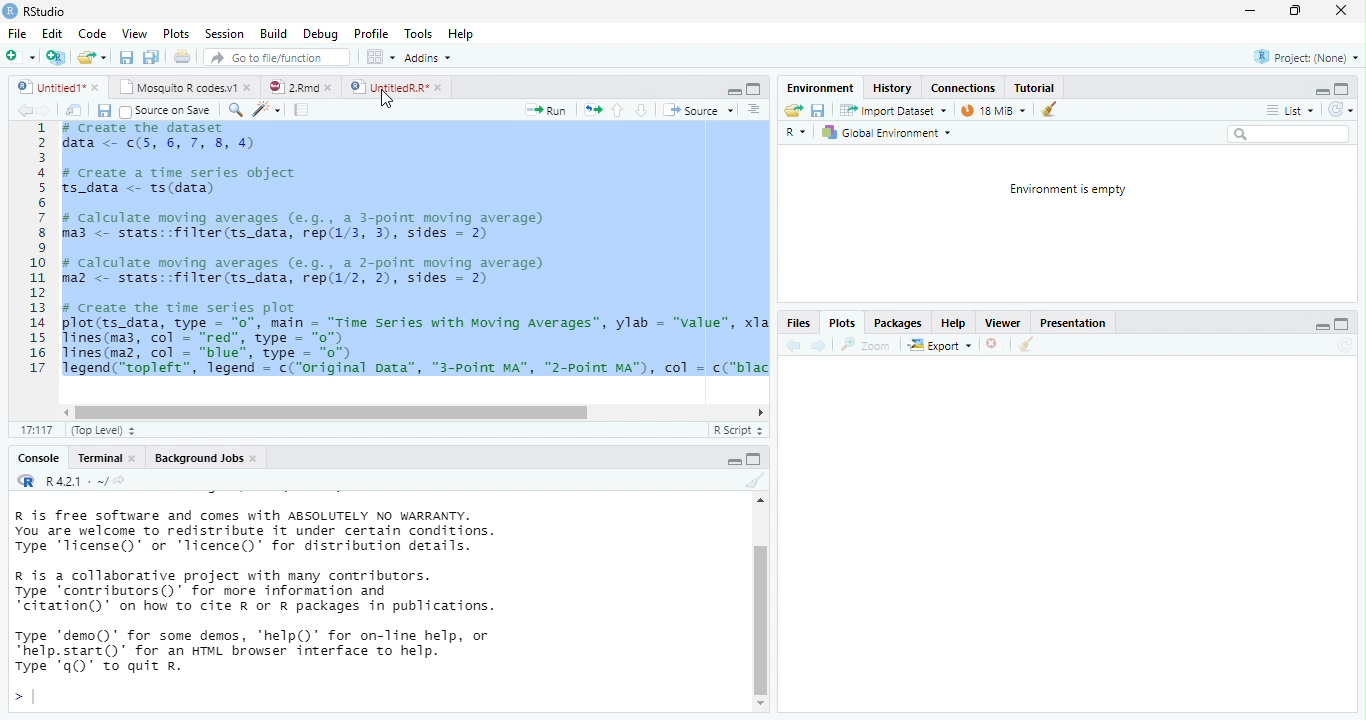 This screenshot has height=720, width=1366. What do you see at coordinates (48, 111) in the screenshot?
I see `next` at bounding box center [48, 111].